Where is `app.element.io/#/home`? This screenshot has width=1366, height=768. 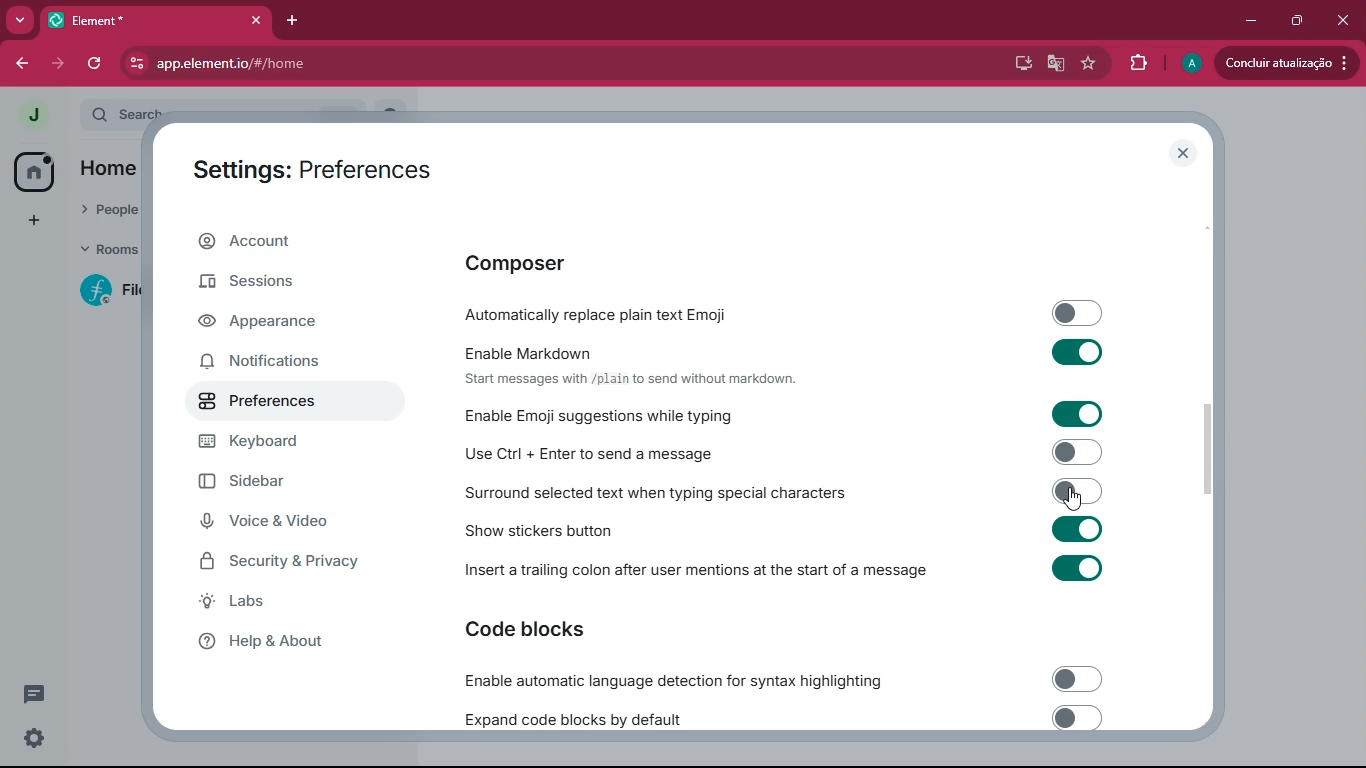 app.element.io/#/home is located at coordinates (349, 64).